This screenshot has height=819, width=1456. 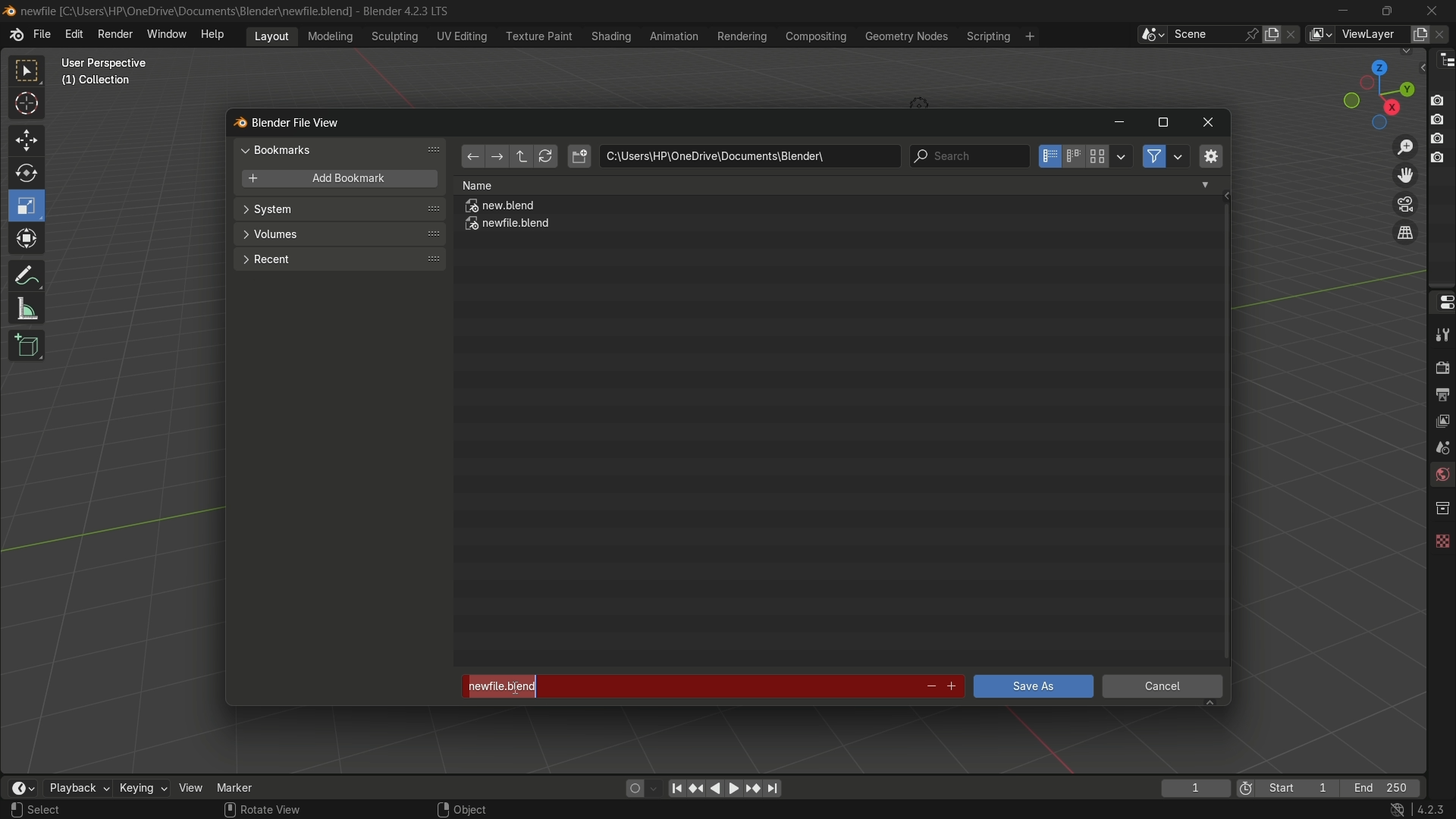 I want to click on jump to keyframe, so click(x=697, y=786).